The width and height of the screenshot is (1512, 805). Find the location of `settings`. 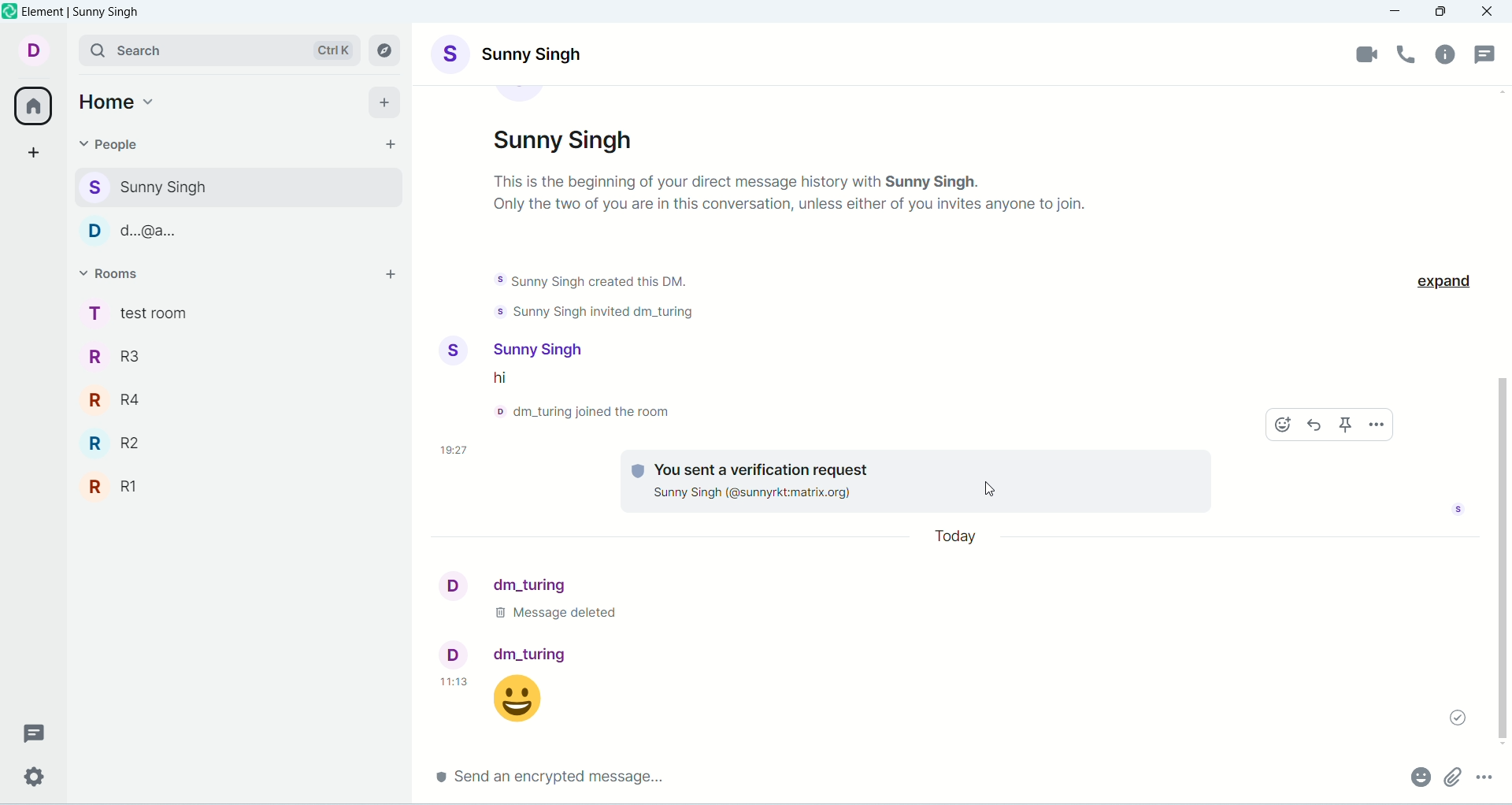

settings is located at coordinates (31, 779).